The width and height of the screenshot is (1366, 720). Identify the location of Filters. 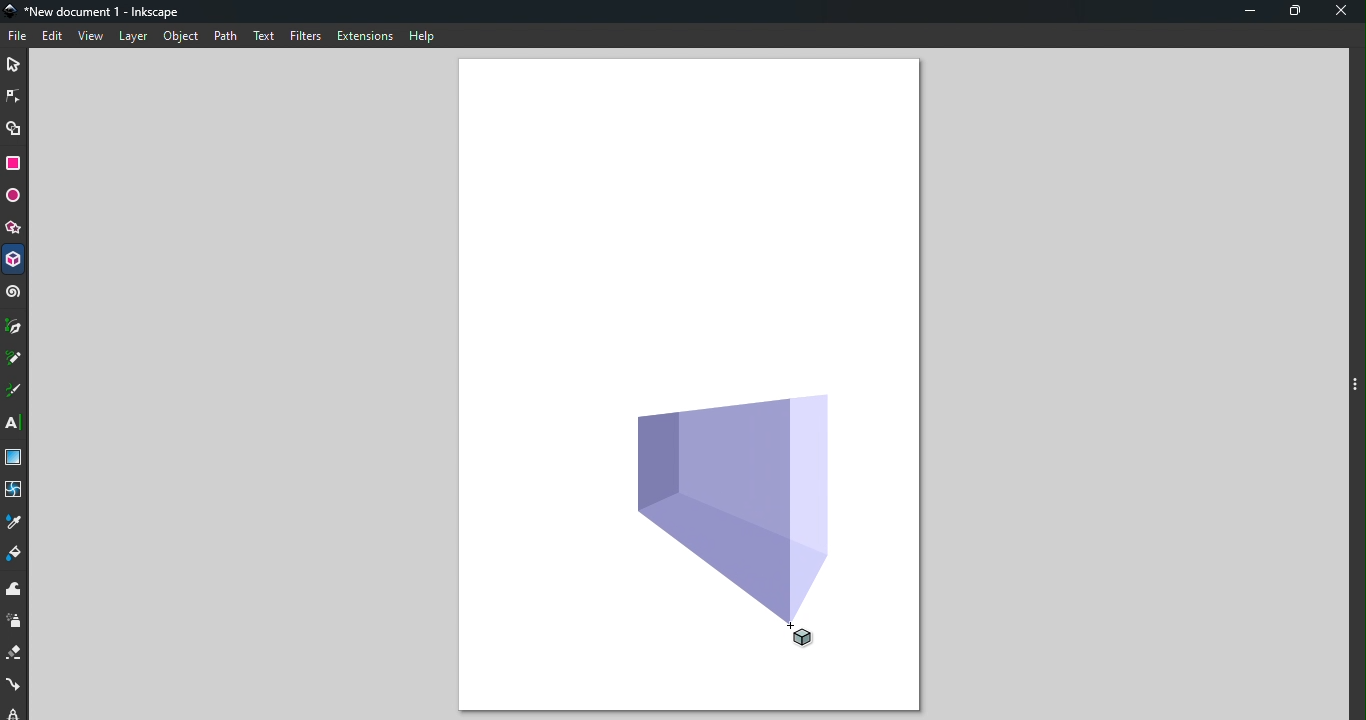
(307, 35).